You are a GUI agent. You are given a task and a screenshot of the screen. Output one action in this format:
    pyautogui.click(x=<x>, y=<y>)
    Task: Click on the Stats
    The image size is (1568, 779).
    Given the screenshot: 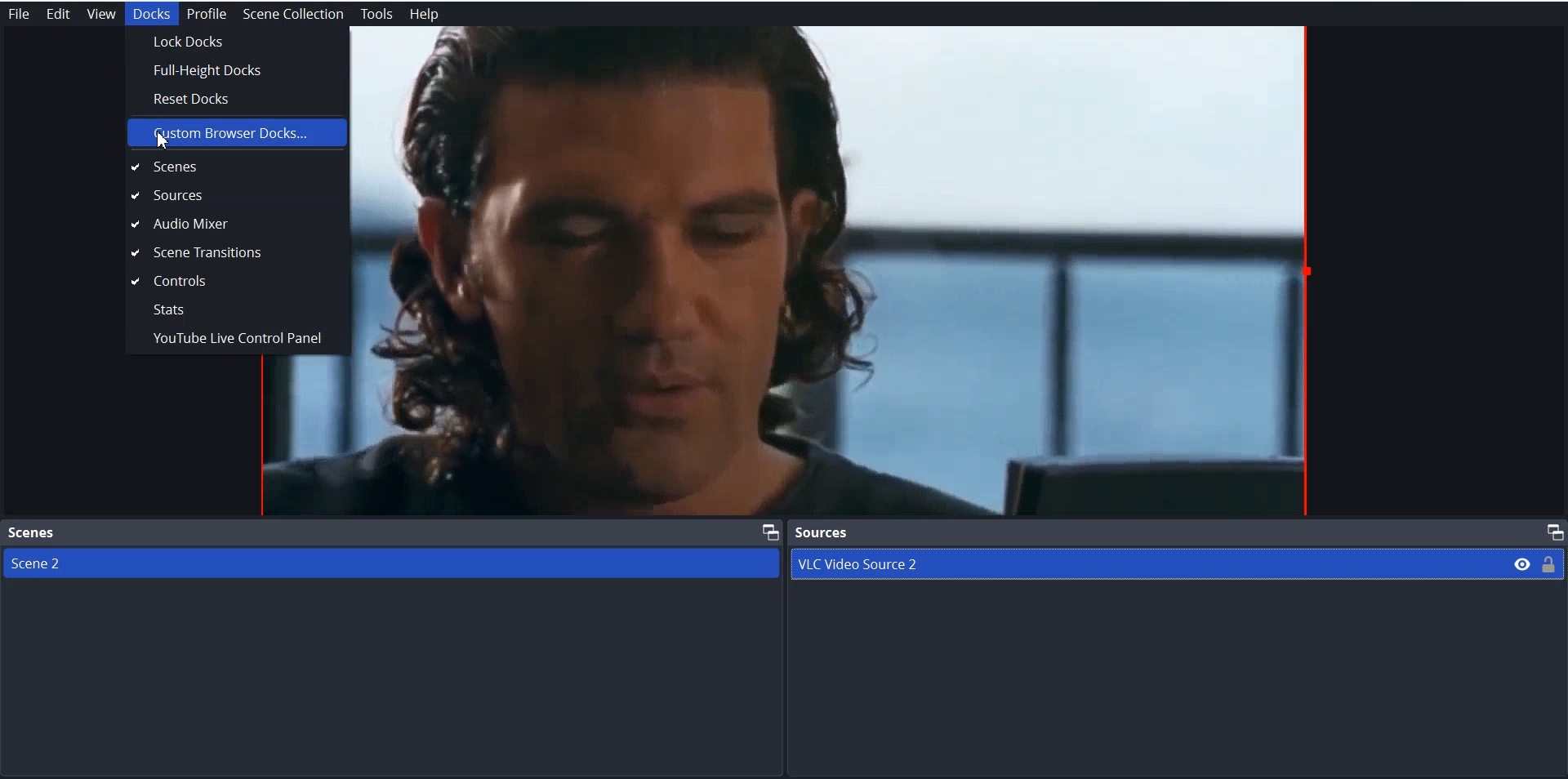 What is the action you would take?
    pyautogui.click(x=236, y=310)
    